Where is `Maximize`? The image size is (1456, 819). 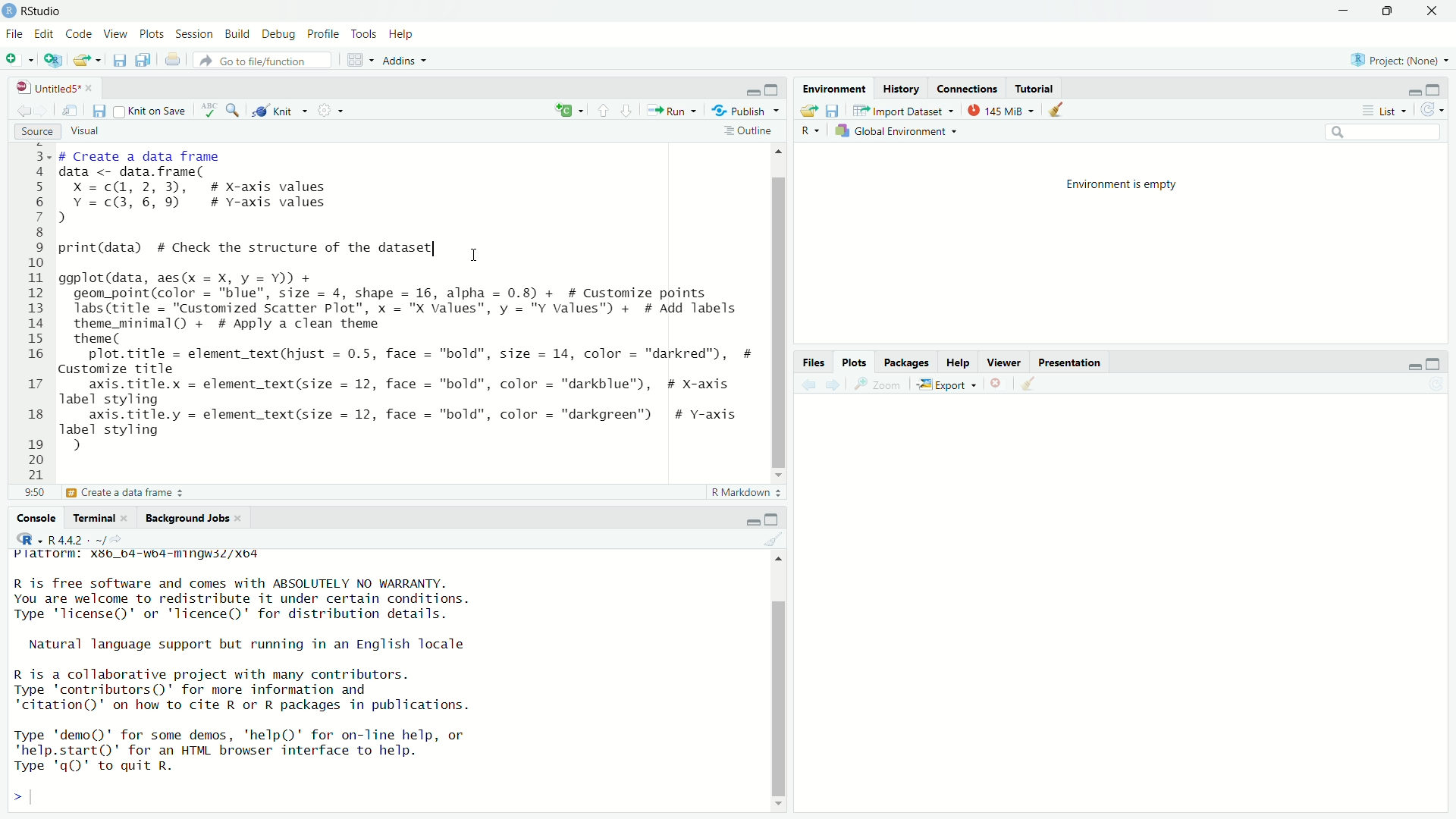 Maximize is located at coordinates (1433, 89).